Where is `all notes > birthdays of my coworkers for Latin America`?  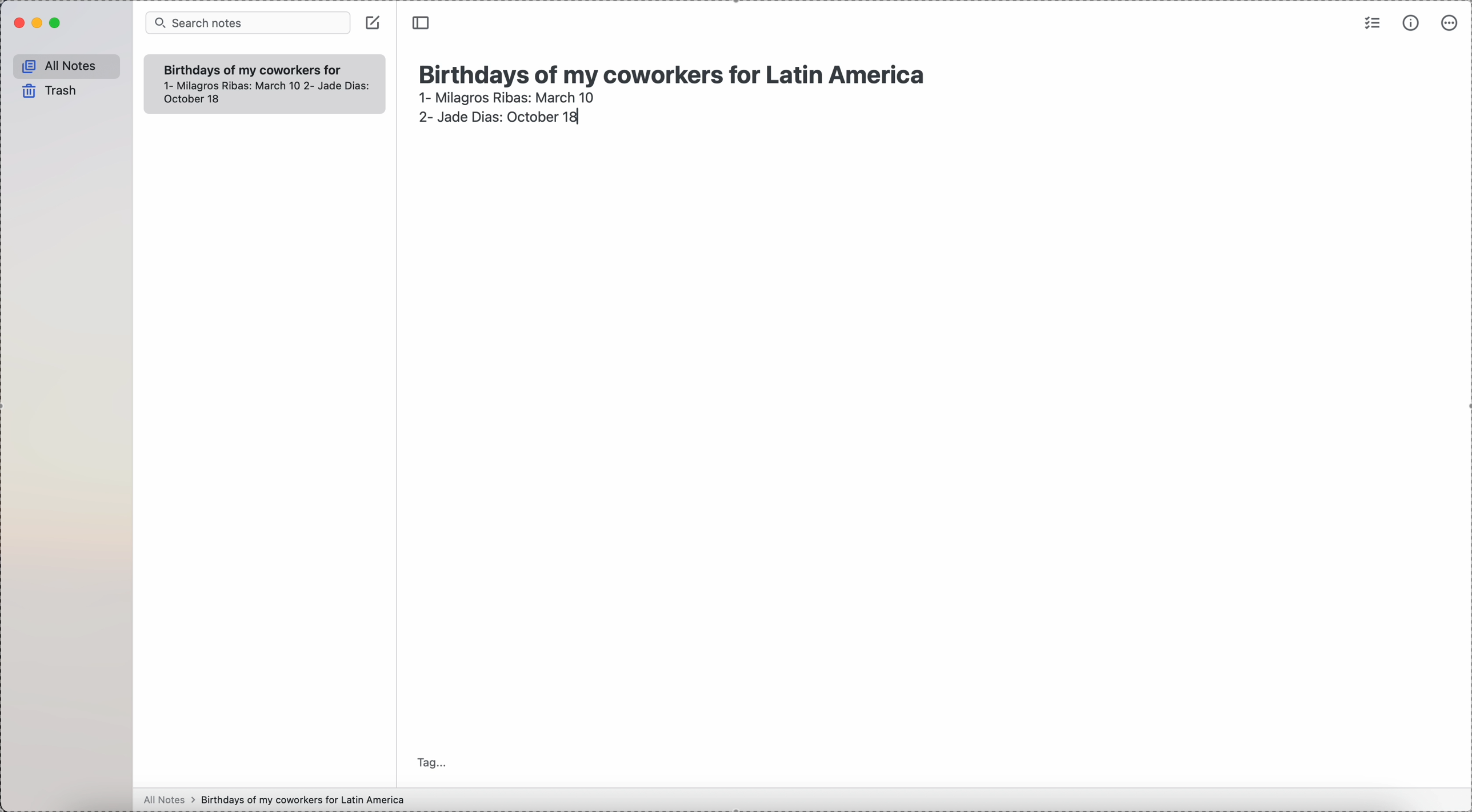 all notes > birthdays of my coworkers for Latin America is located at coordinates (277, 799).